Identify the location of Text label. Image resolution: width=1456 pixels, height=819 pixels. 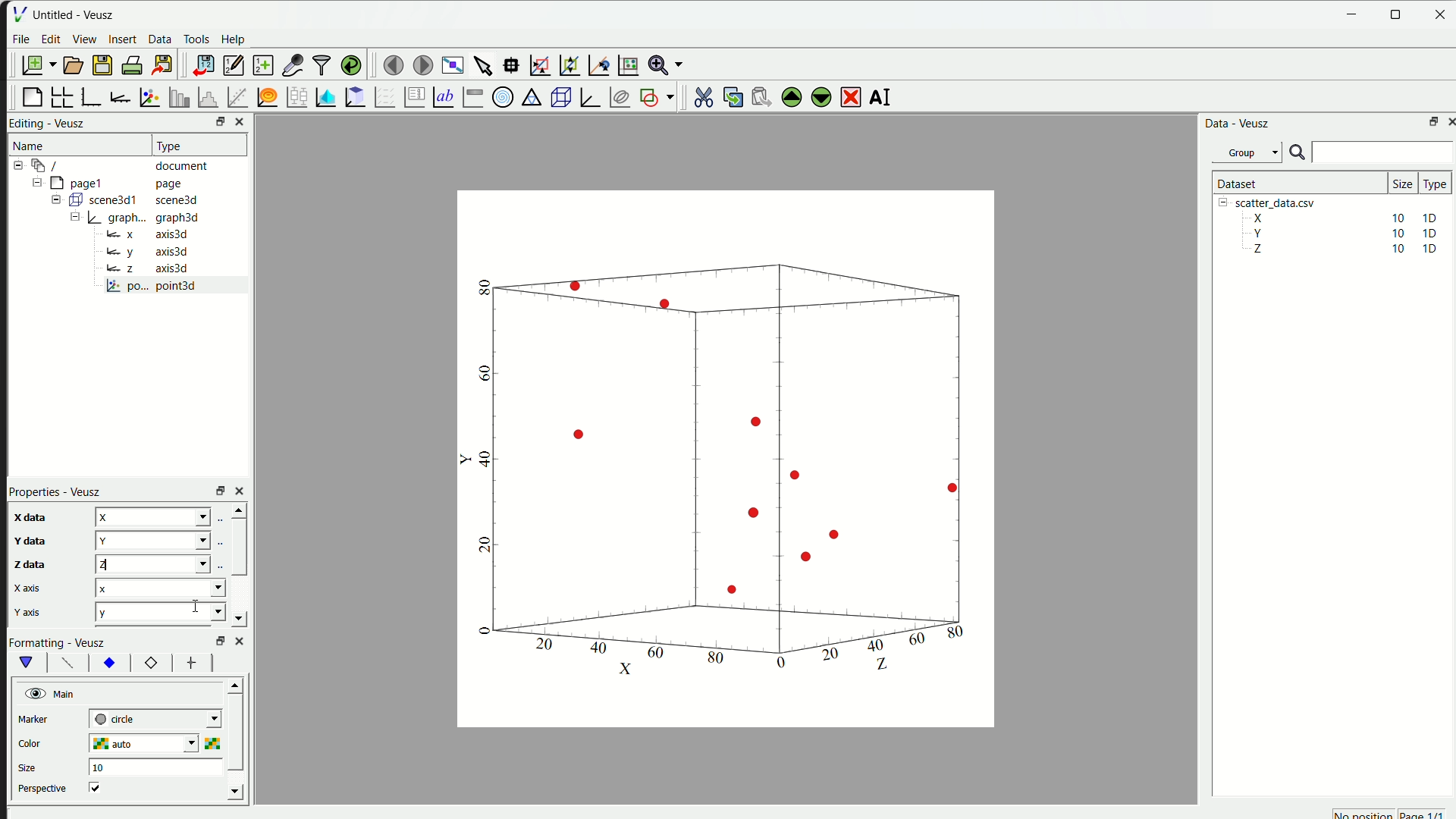
(442, 98).